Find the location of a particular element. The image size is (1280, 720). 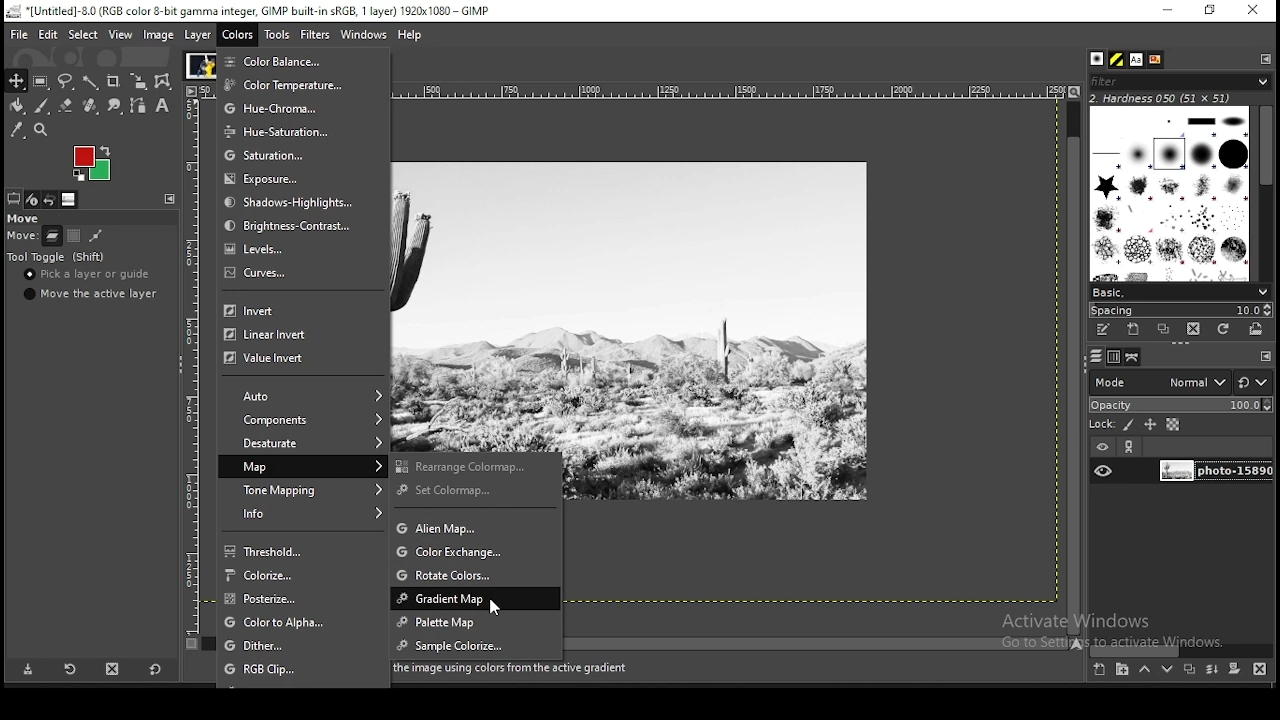

scroll bar is located at coordinates (1266, 191).